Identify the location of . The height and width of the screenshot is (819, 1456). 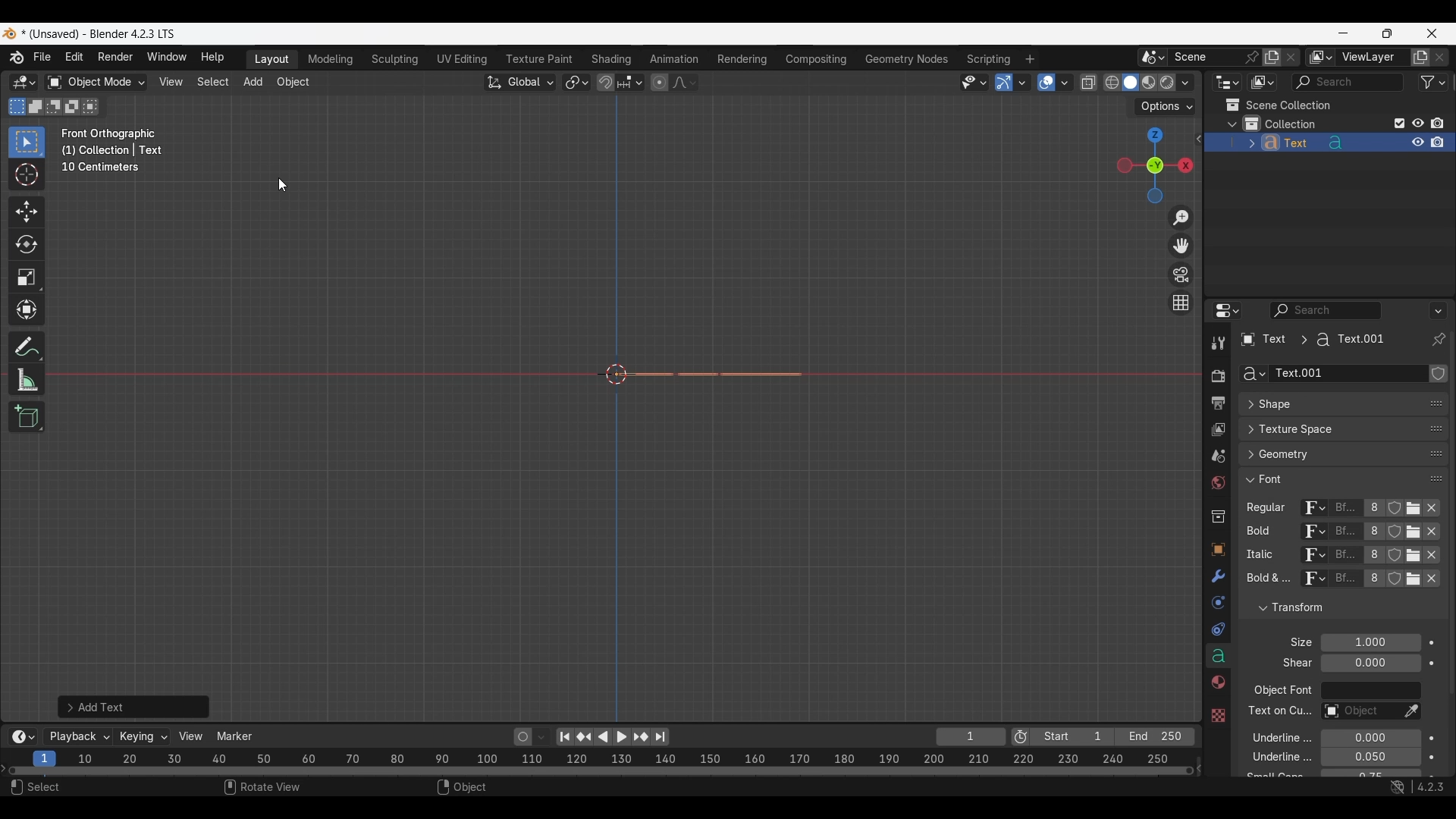
(1264, 556).